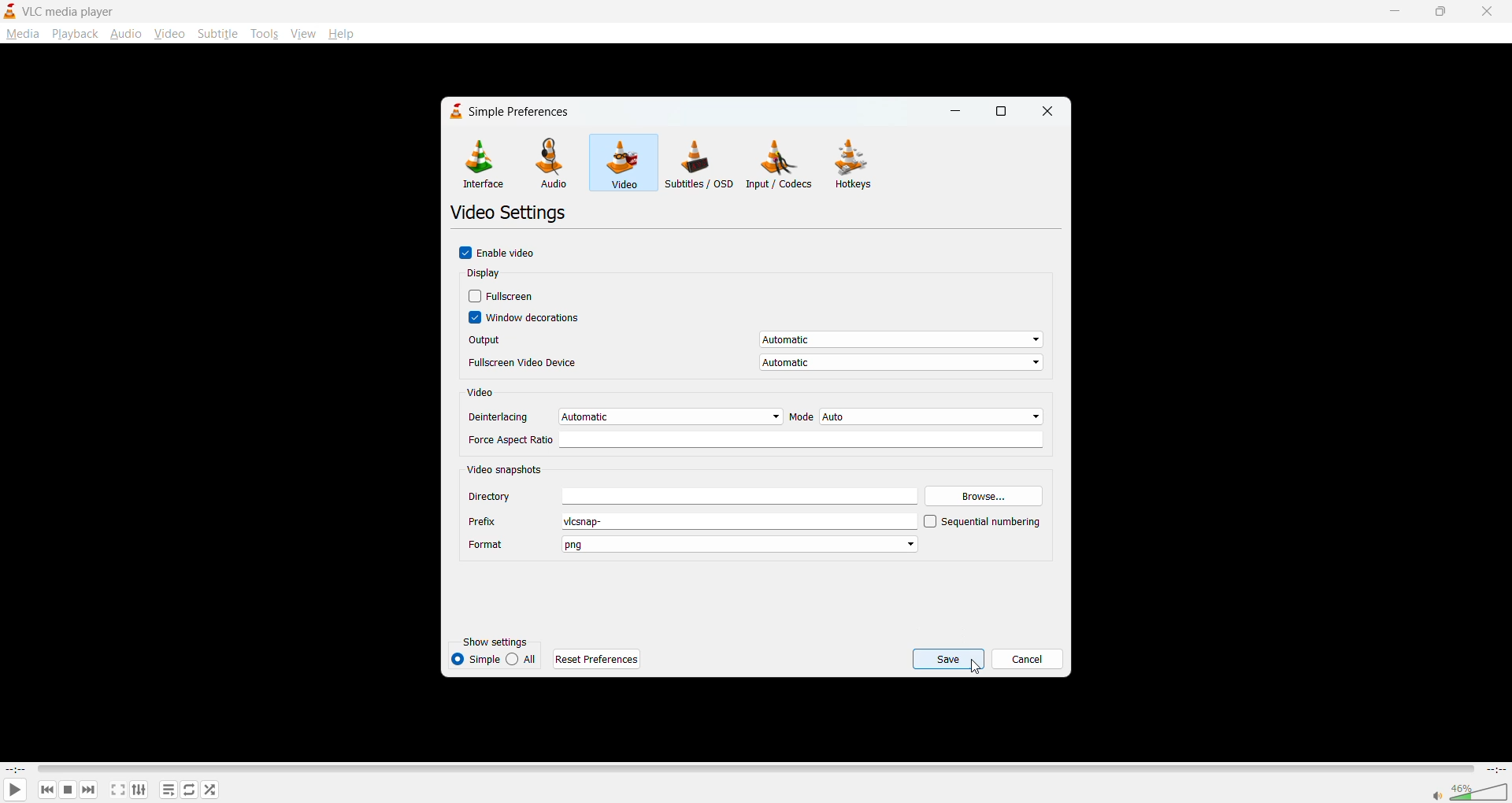 The height and width of the screenshot is (803, 1512). What do you see at coordinates (982, 523) in the screenshot?
I see `sequential numbering` at bounding box center [982, 523].